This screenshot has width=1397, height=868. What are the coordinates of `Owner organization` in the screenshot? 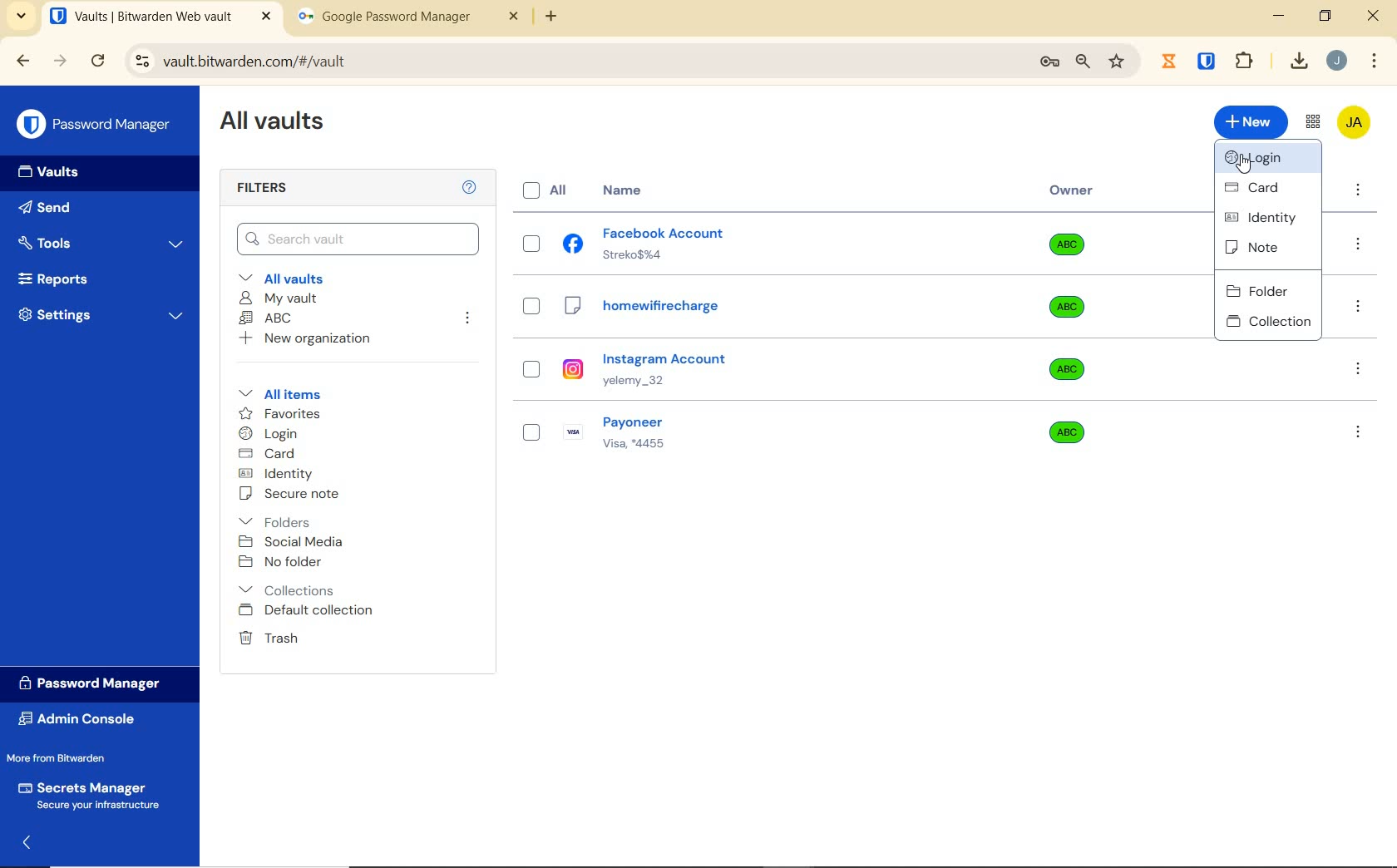 It's located at (1073, 251).